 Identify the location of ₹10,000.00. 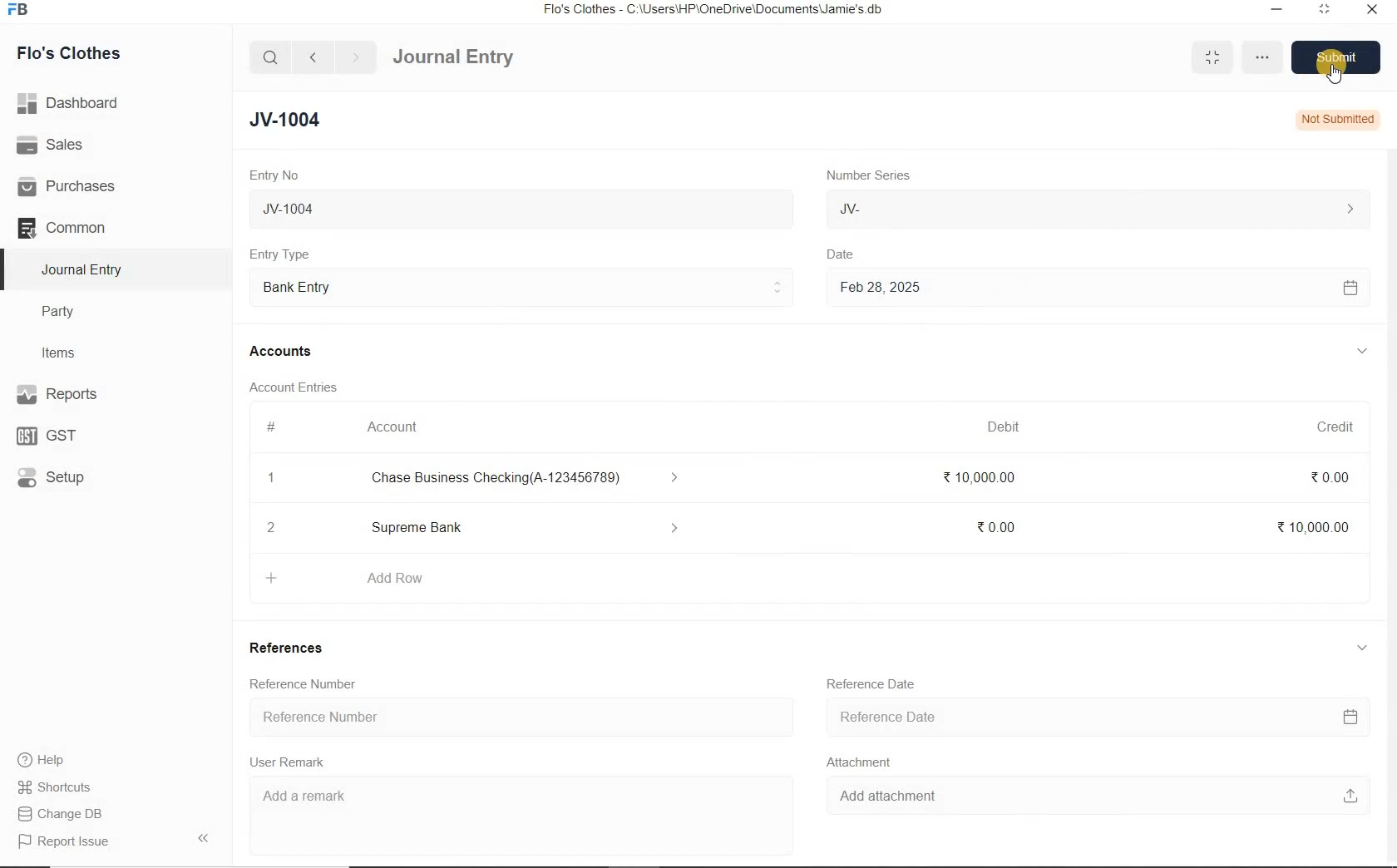
(1308, 525).